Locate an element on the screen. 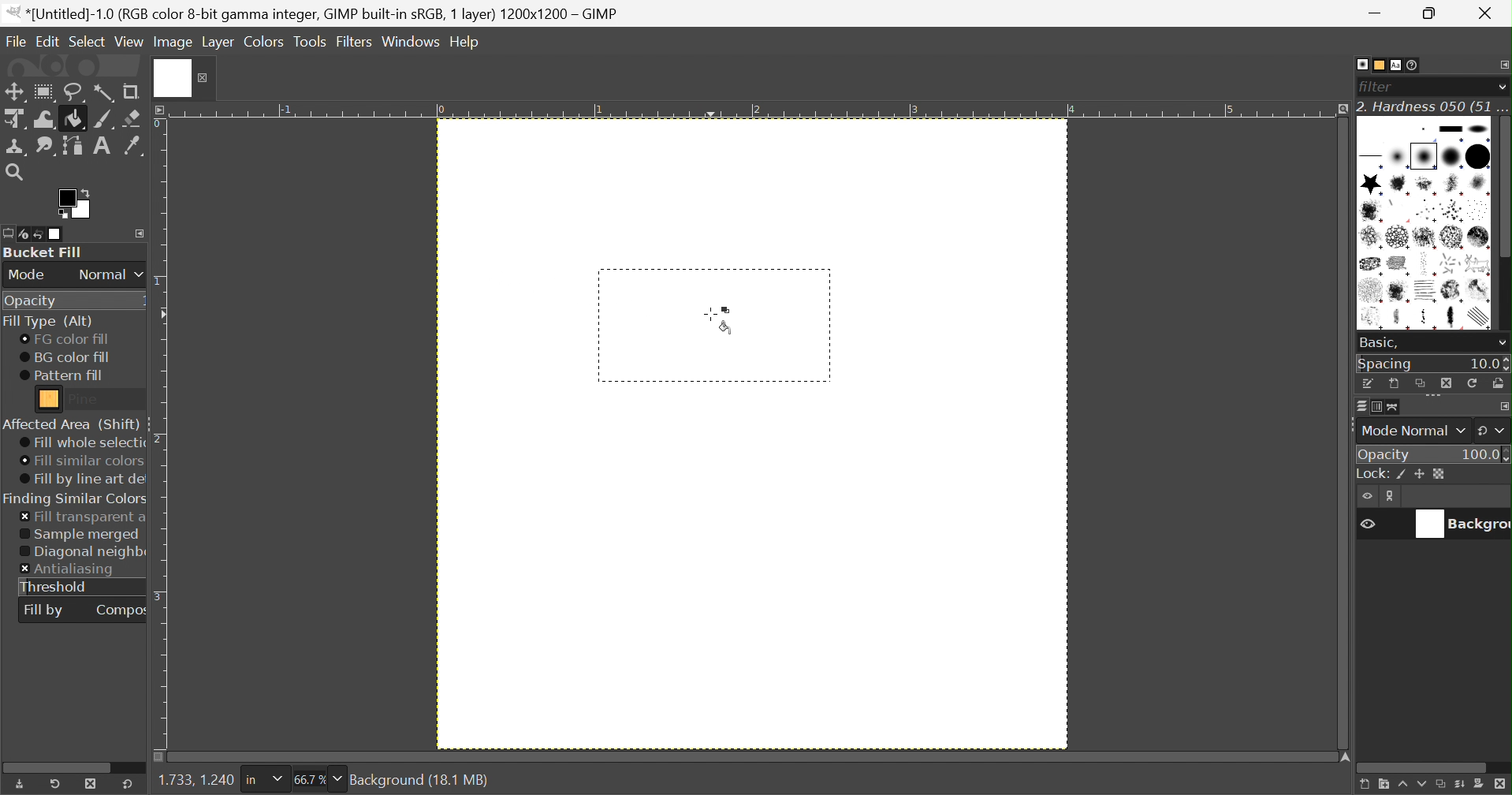 This screenshot has width=1512, height=795. Fill transparent areas is located at coordinates (83, 517).